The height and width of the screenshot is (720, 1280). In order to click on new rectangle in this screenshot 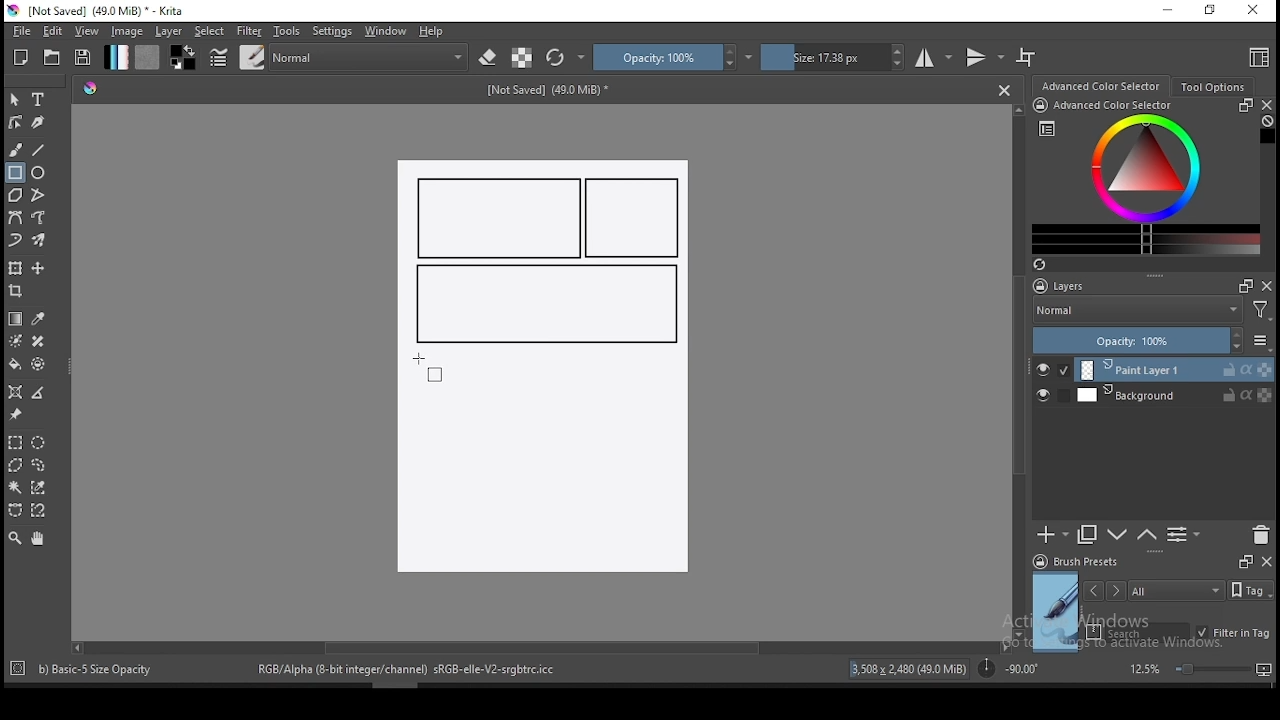, I will do `click(500, 218)`.